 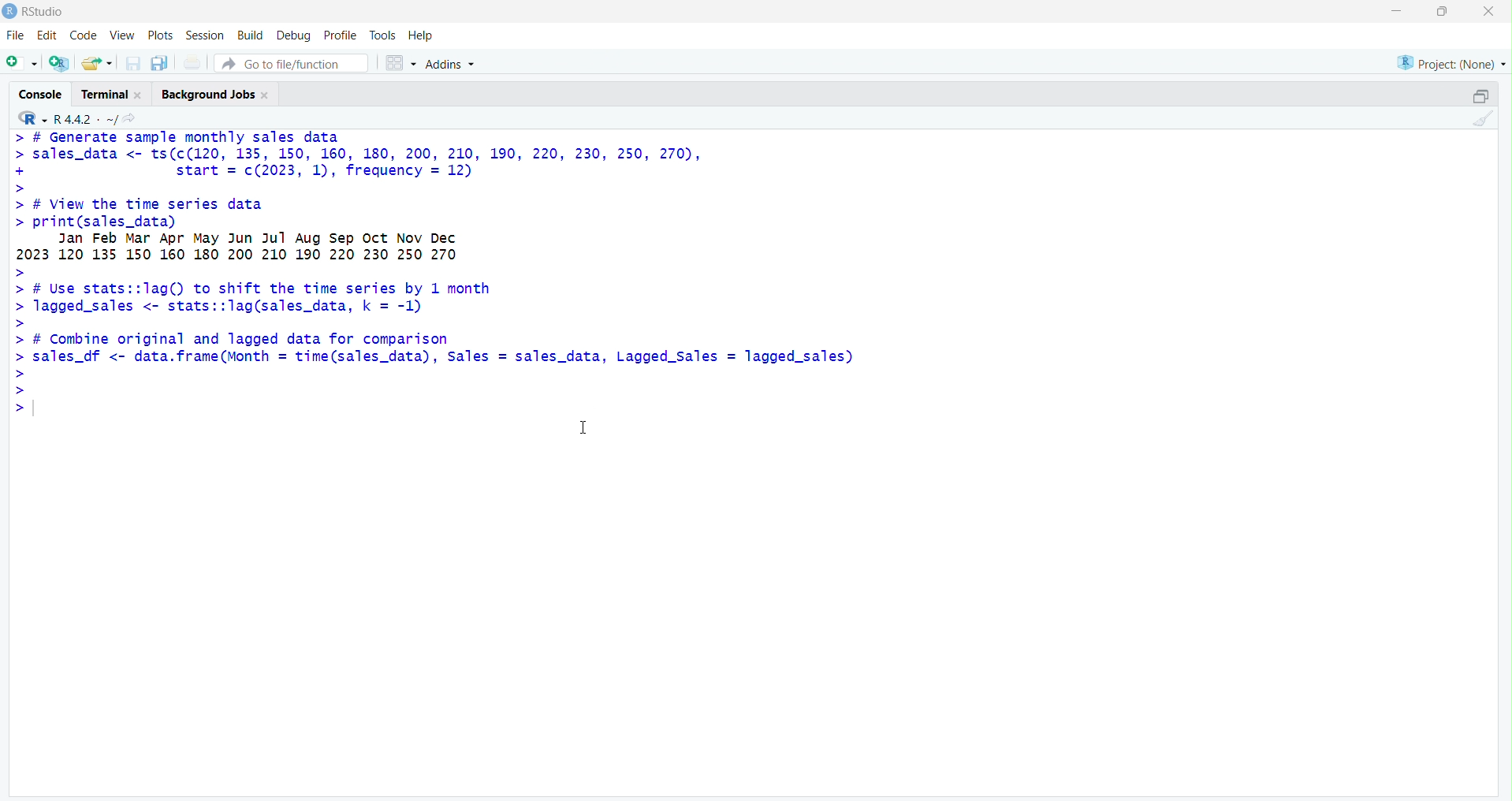 I want to click on background jobs, so click(x=219, y=95).